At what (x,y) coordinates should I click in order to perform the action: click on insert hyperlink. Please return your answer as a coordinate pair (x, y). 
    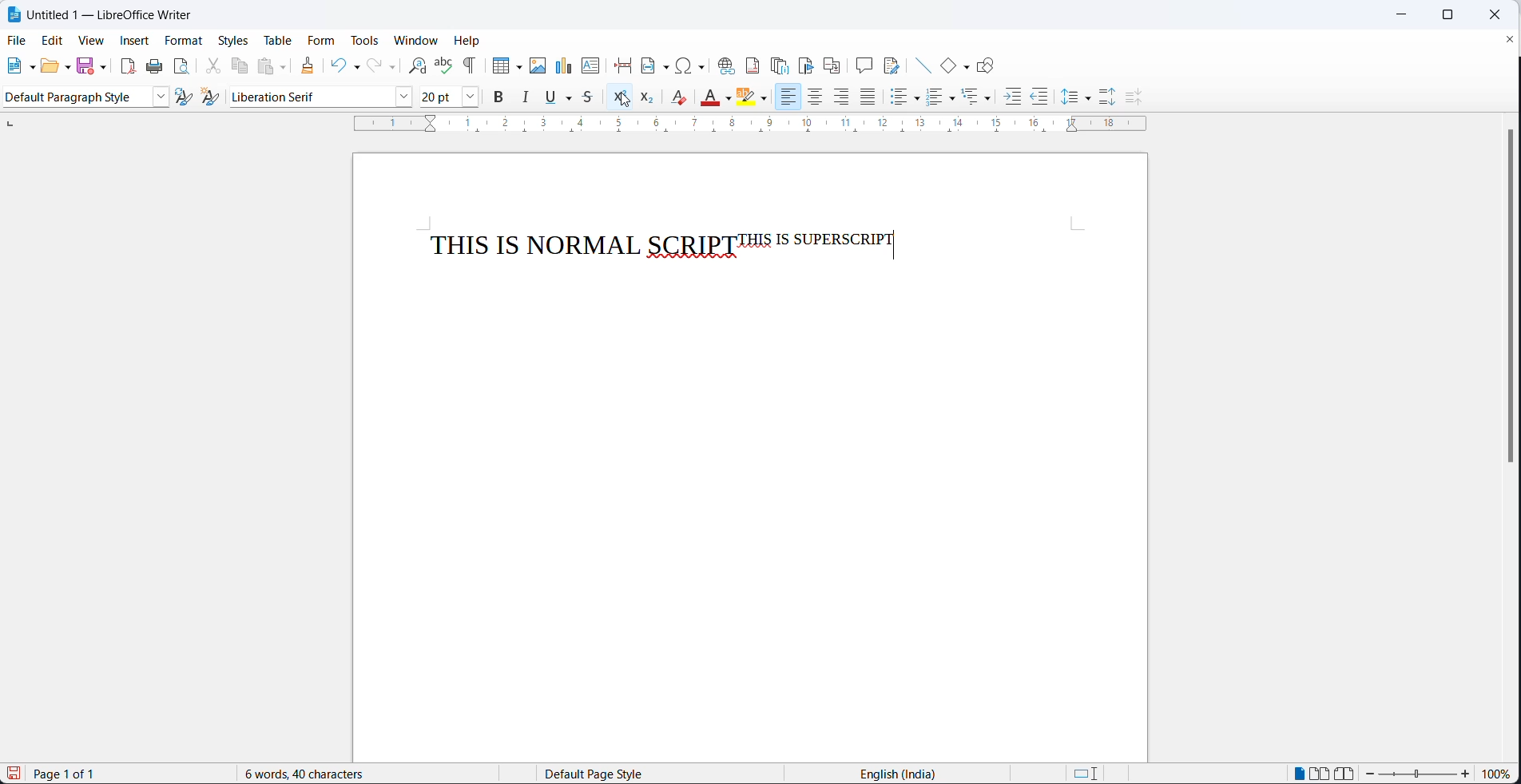
    Looking at the image, I should click on (725, 64).